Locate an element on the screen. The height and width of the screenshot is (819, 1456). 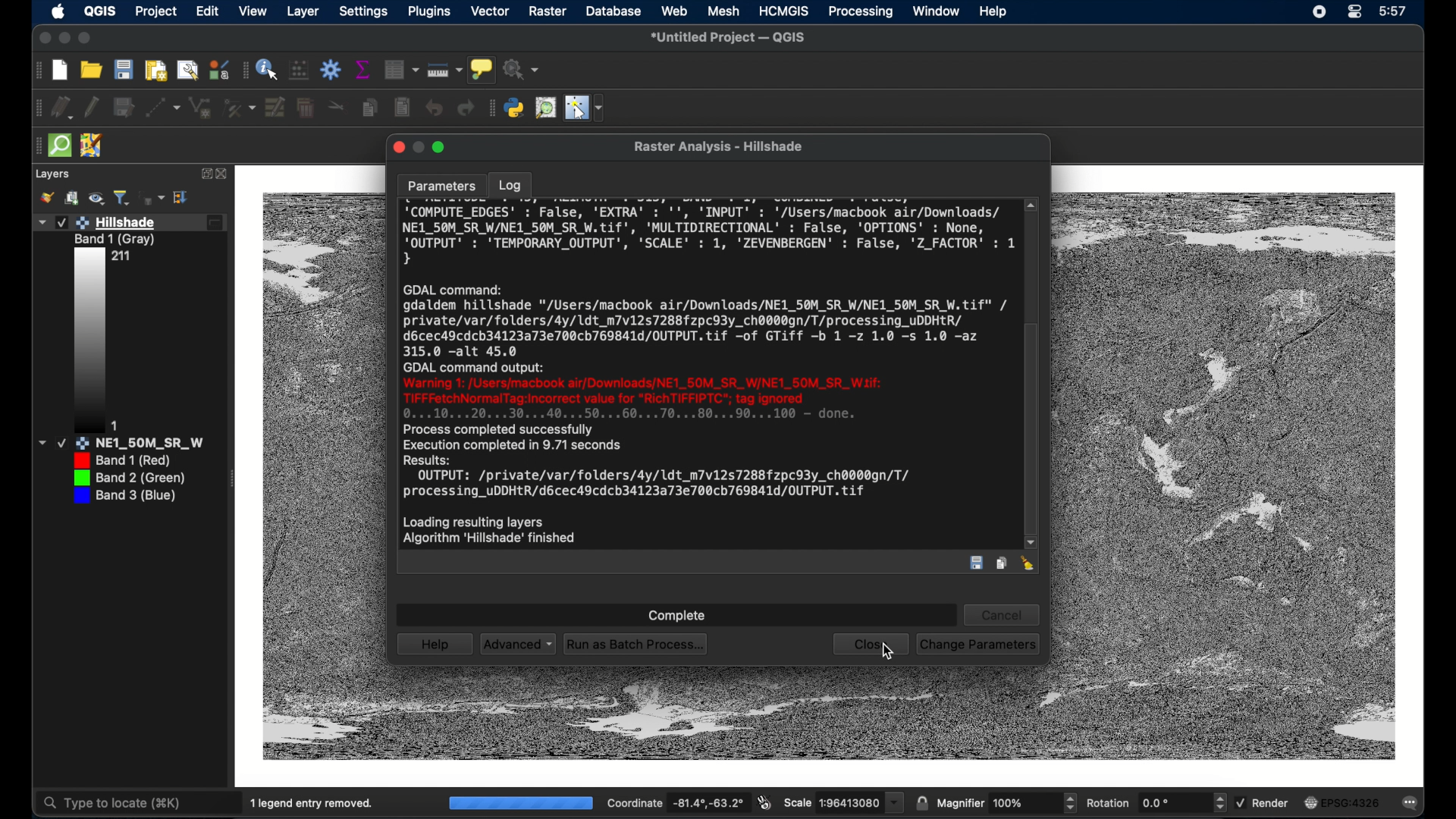
render is located at coordinates (1262, 802).